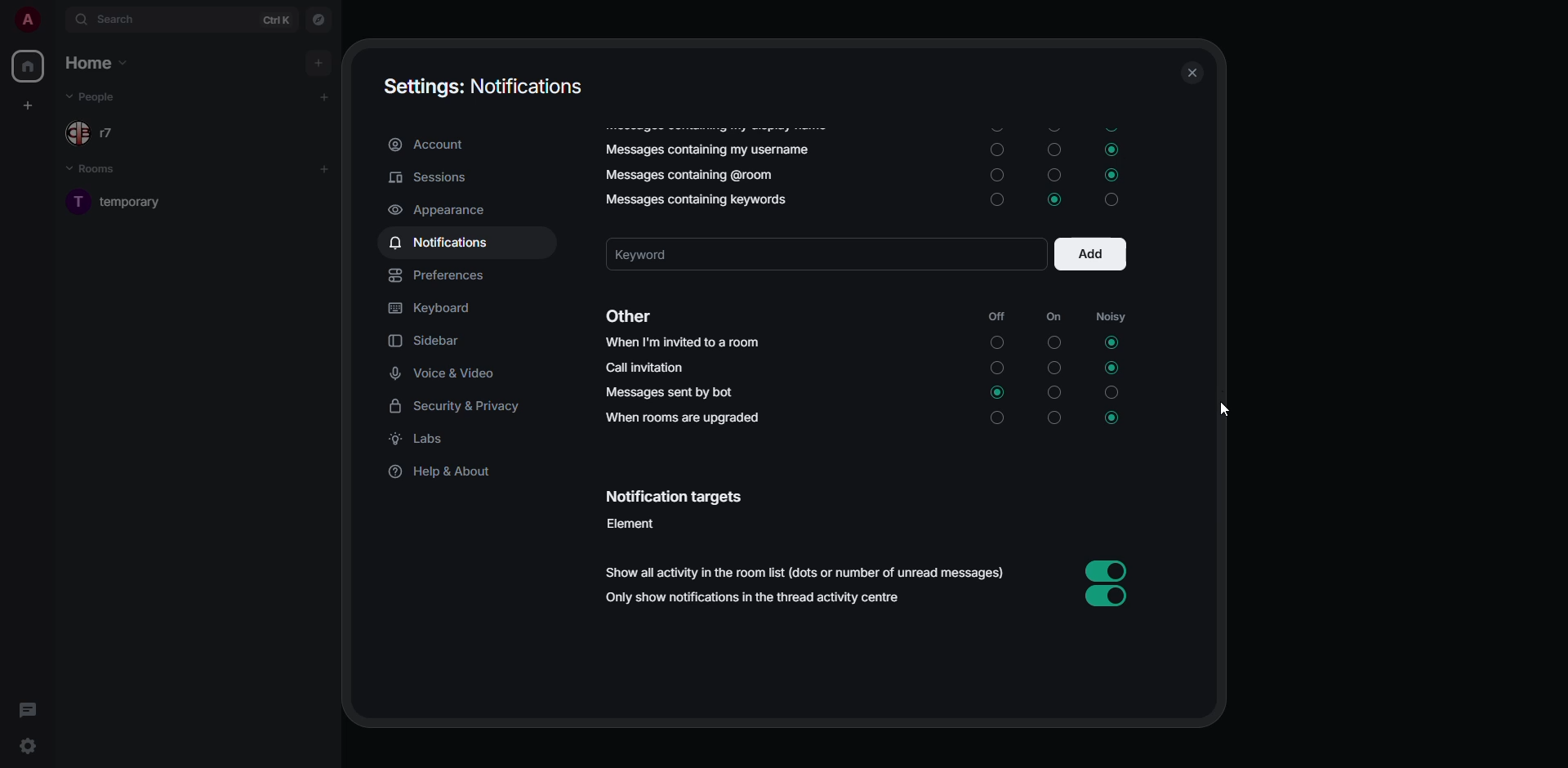 This screenshot has width=1568, height=768. Describe the element at coordinates (673, 497) in the screenshot. I see `notification targets` at that location.